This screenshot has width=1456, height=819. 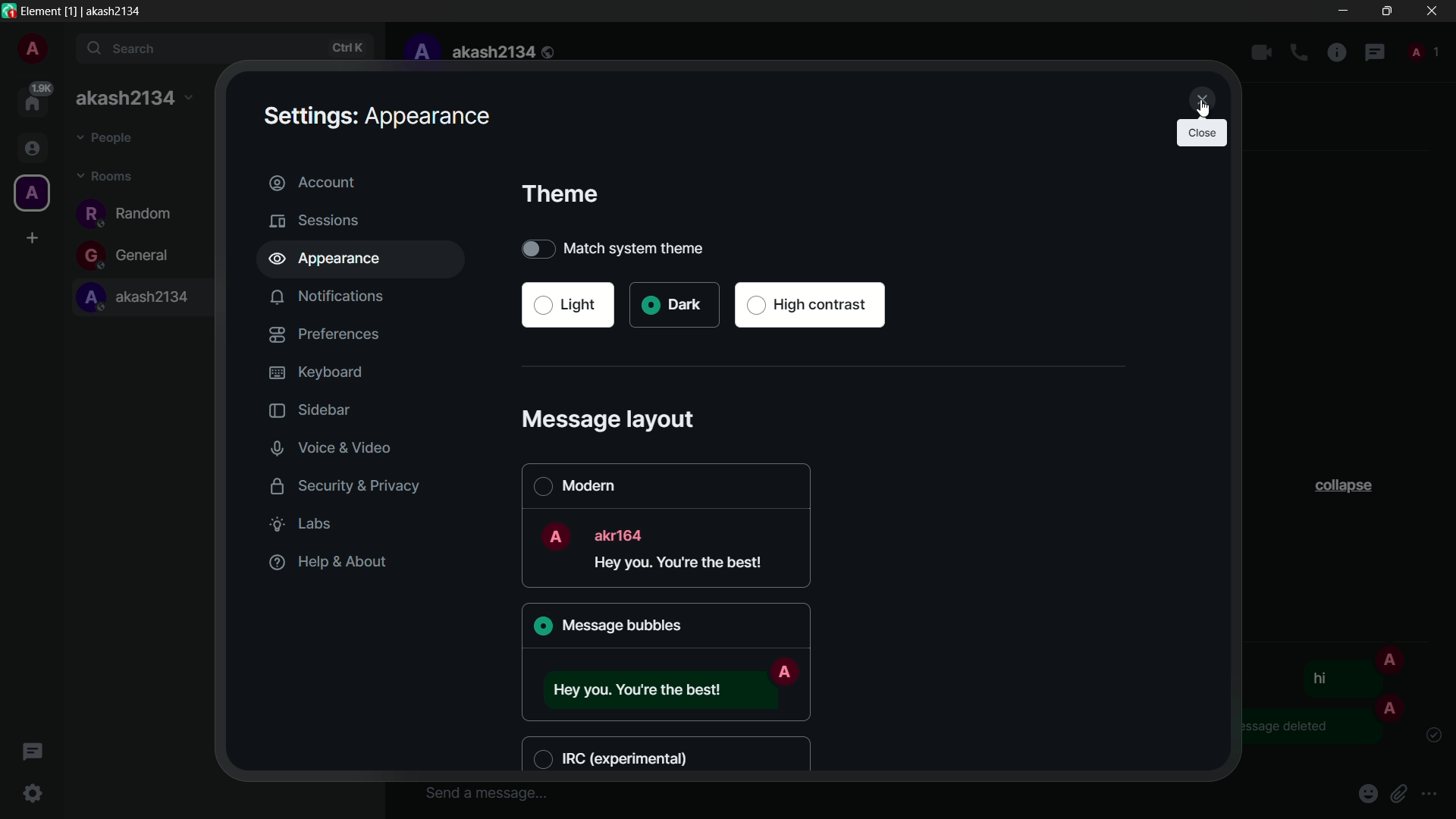 What do you see at coordinates (306, 524) in the screenshot?
I see `labs` at bounding box center [306, 524].